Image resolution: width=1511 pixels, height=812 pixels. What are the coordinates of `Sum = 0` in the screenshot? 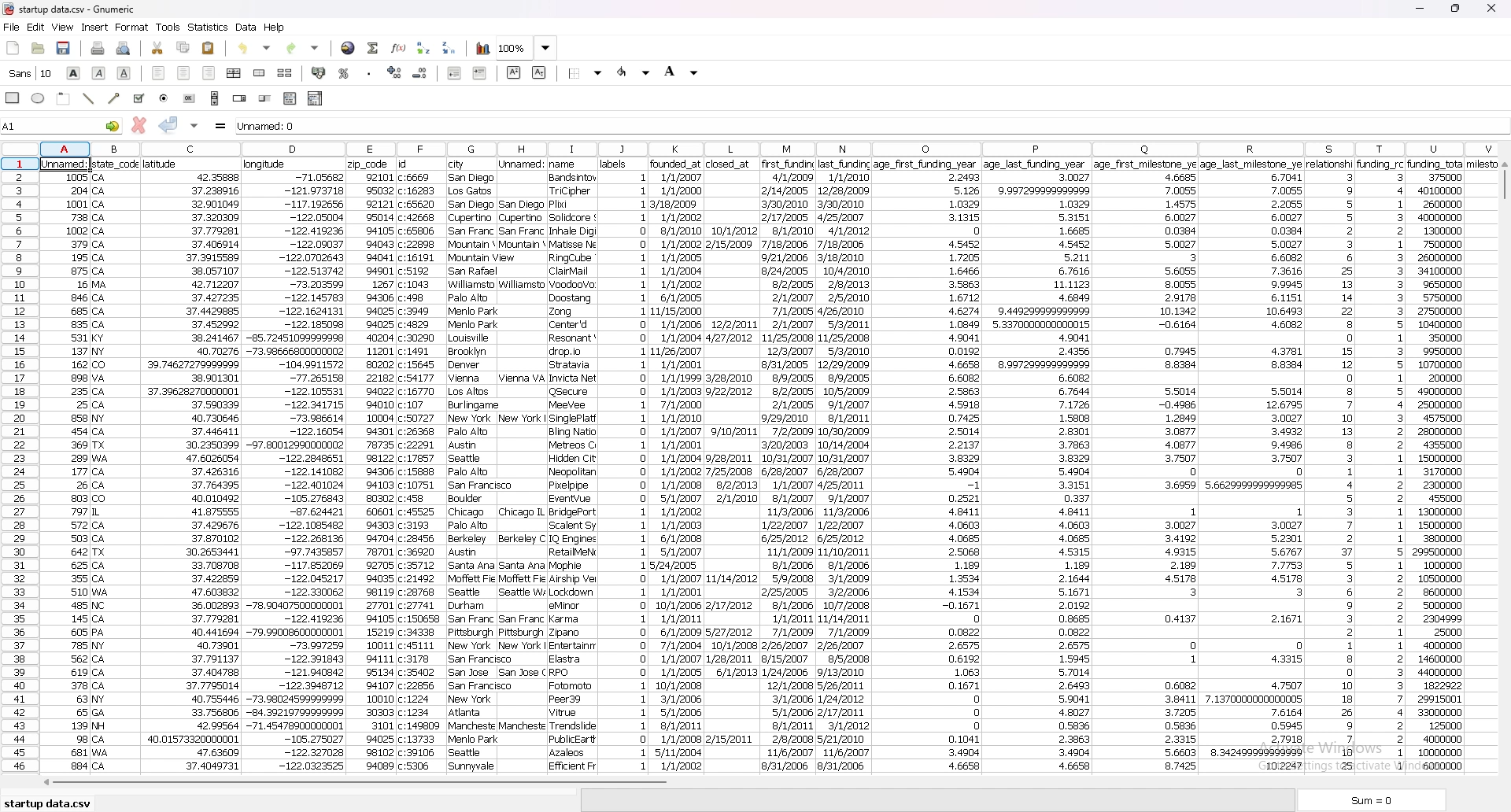 It's located at (1383, 801).